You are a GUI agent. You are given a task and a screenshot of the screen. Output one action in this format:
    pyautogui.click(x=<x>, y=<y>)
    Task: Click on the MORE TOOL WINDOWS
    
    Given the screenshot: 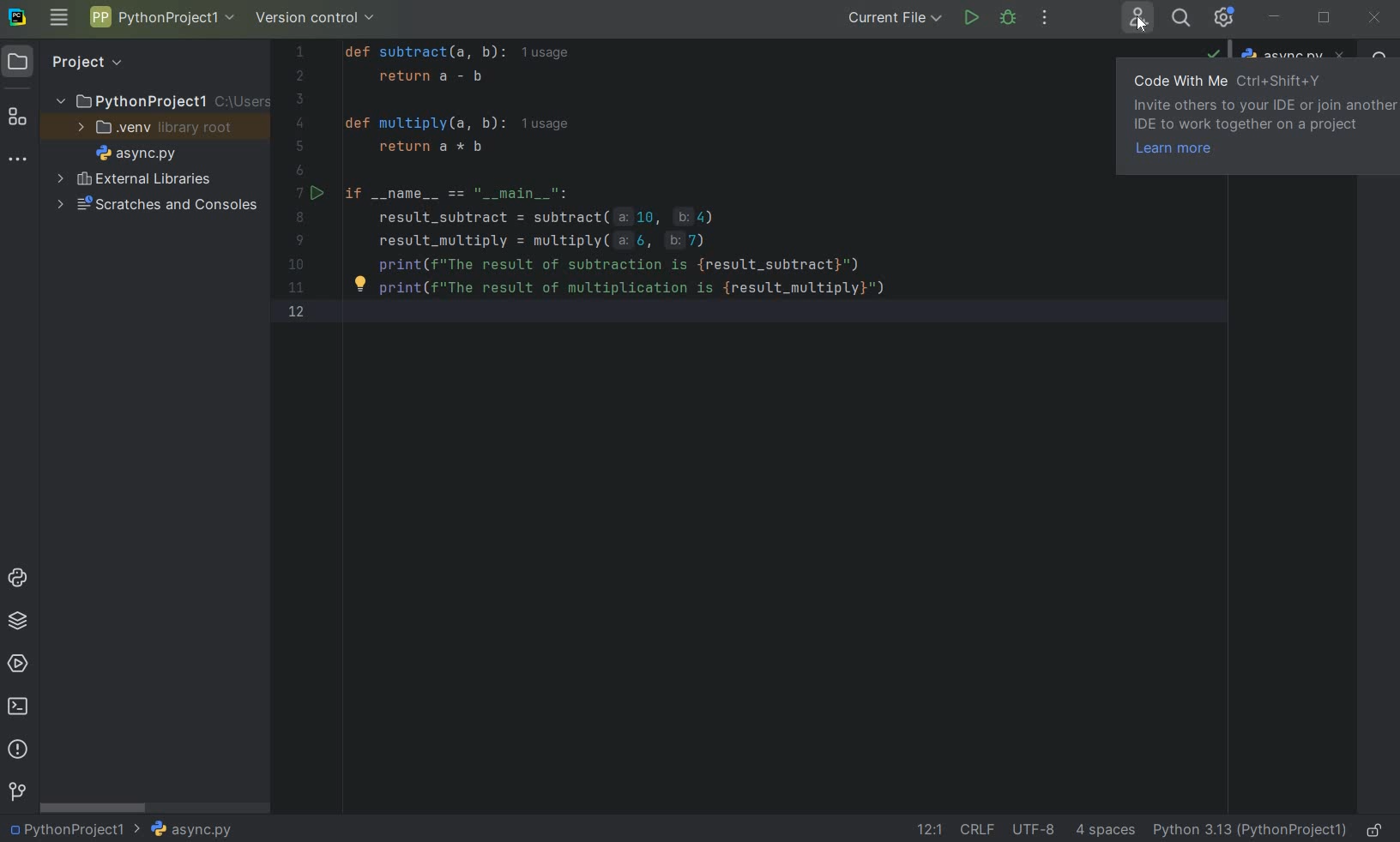 What is the action you would take?
    pyautogui.click(x=18, y=160)
    